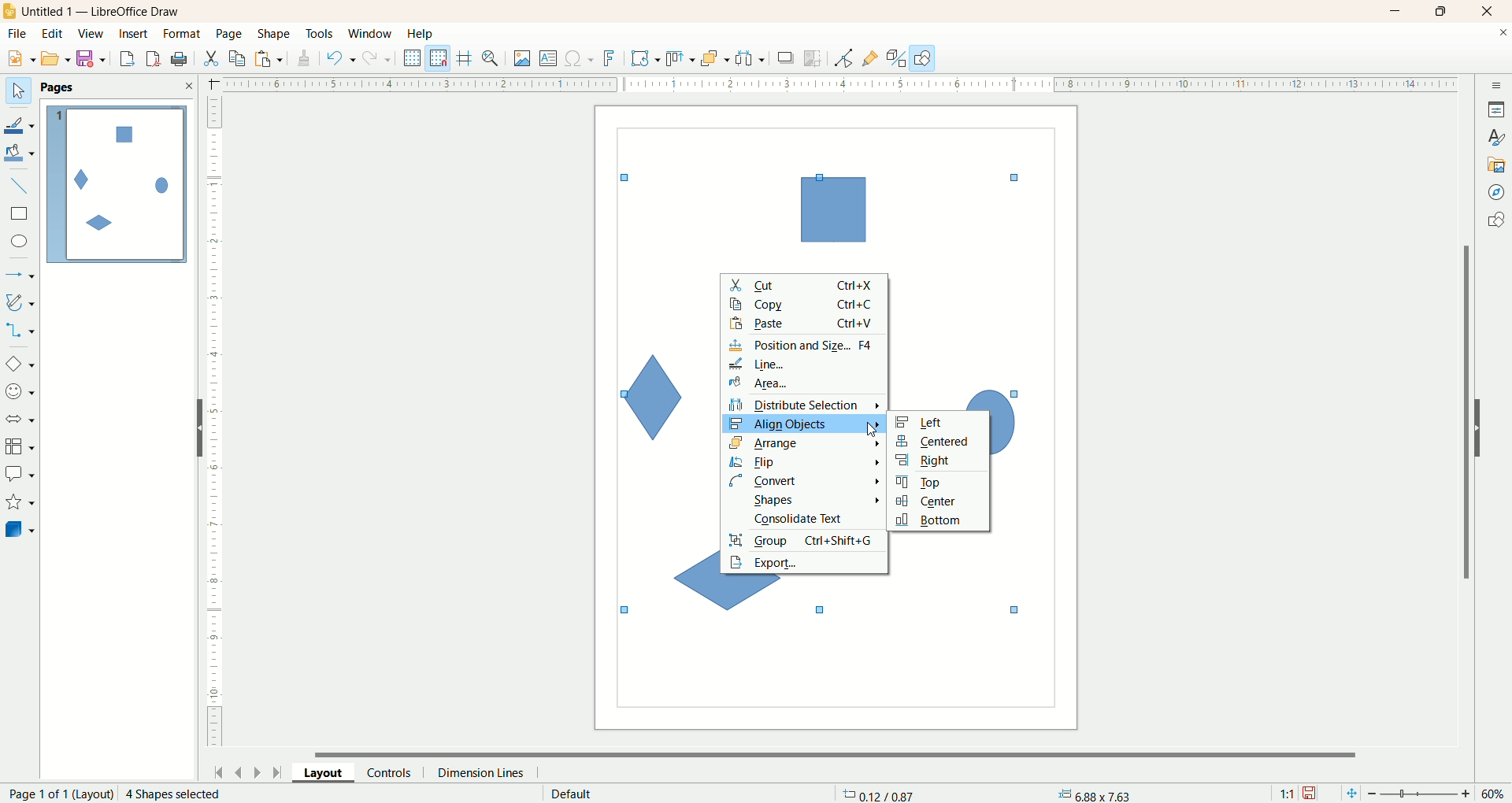  Describe the element at coordinates (18, 59) in the screenshot. I see `new` at that location.